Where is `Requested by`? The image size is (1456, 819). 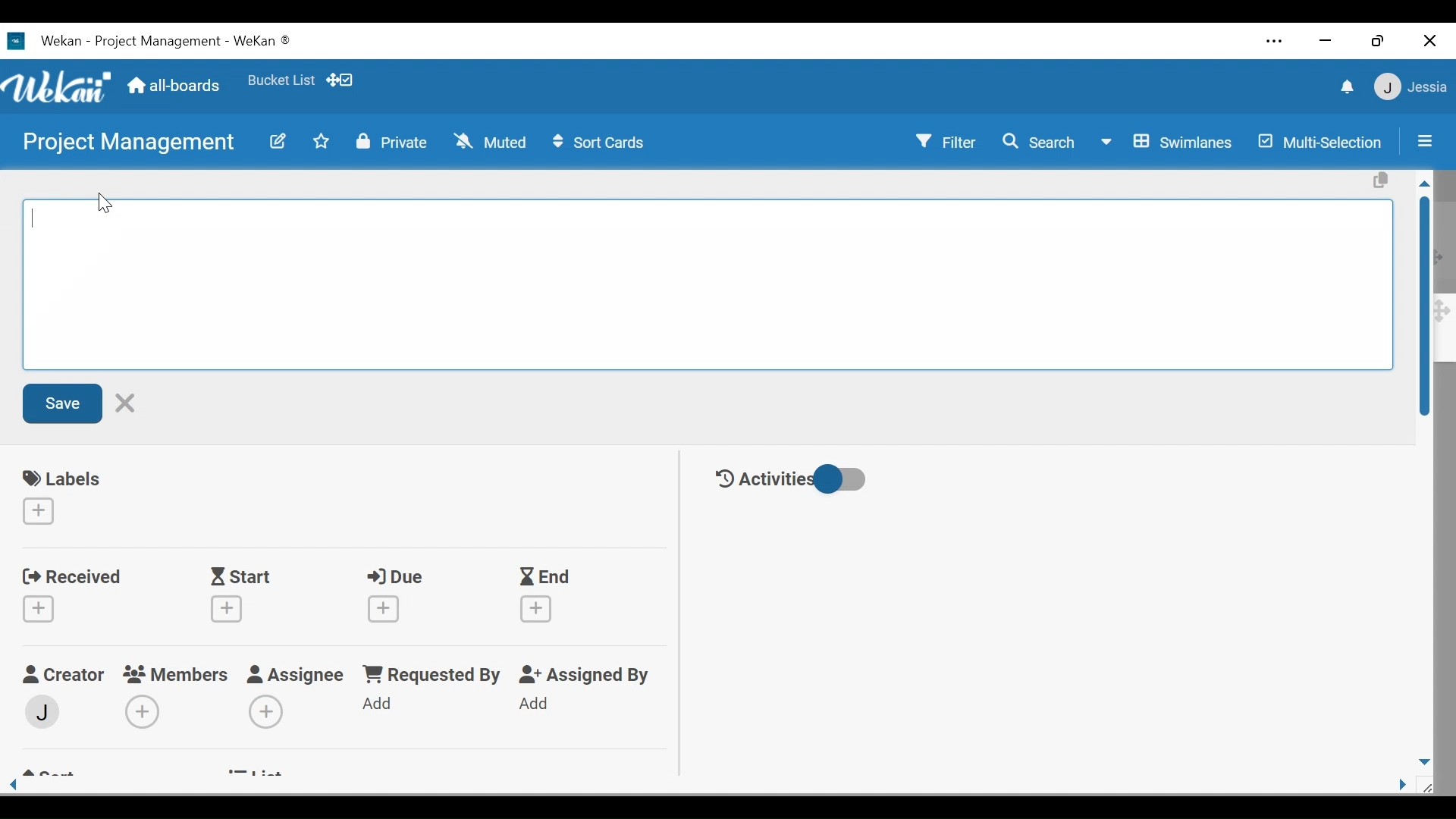 Requested by is located at coordinates (434, 675).